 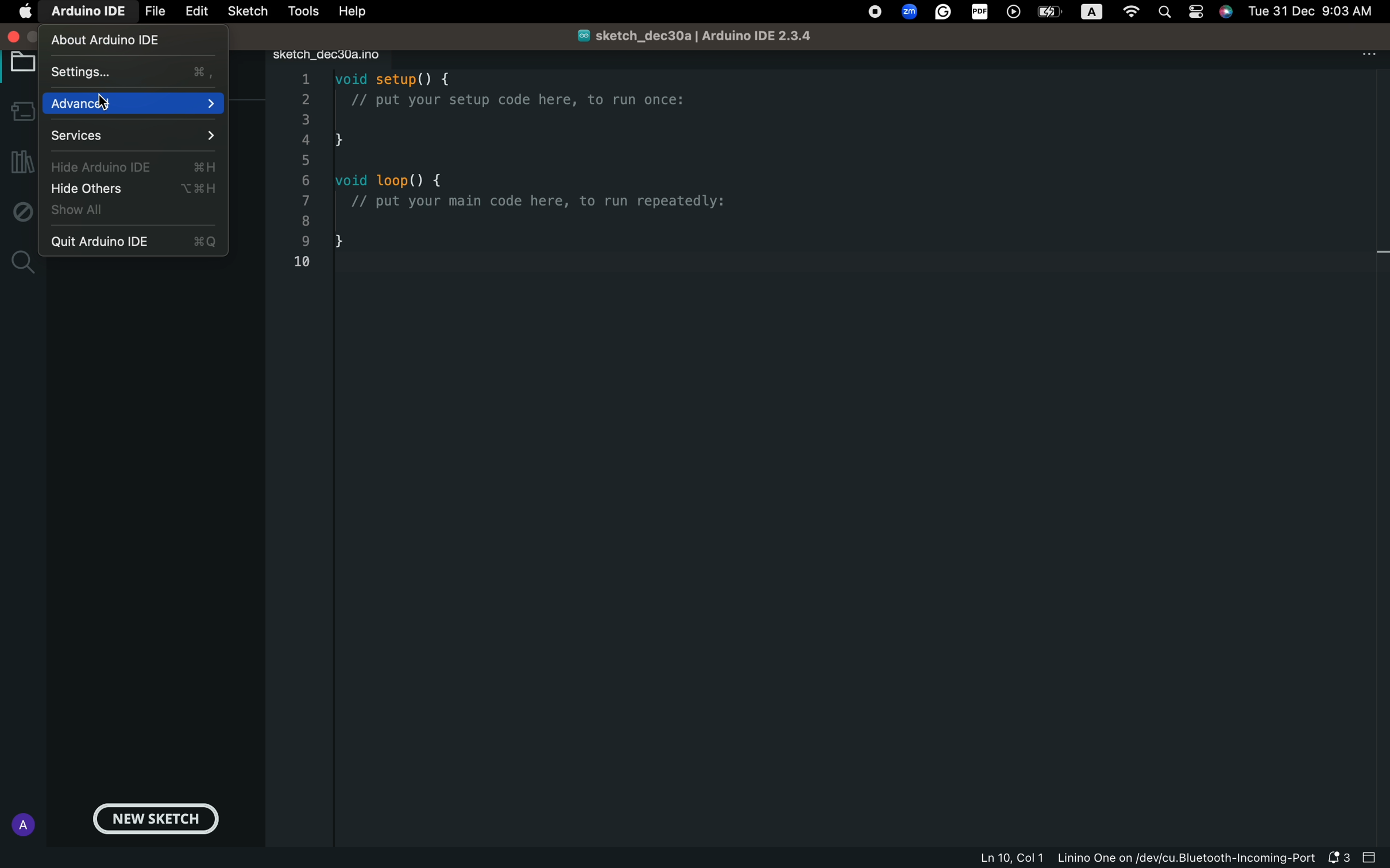 What do you see at coordinates (1227, 10) in the screenshot?
I see `Siri` at bounding box center [1227, 10].